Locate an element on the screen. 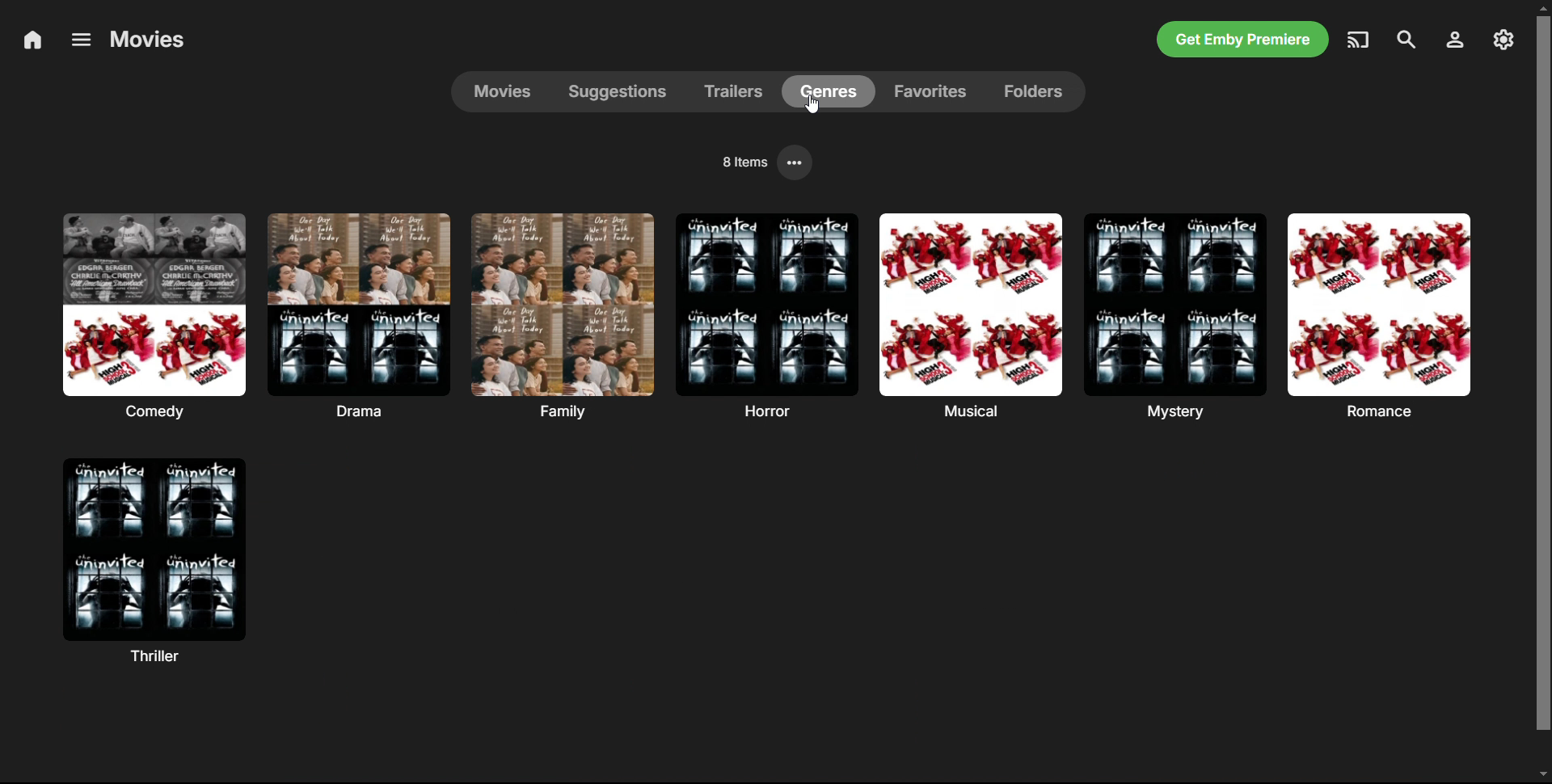  suggestions is located at coordinates (624, 91).